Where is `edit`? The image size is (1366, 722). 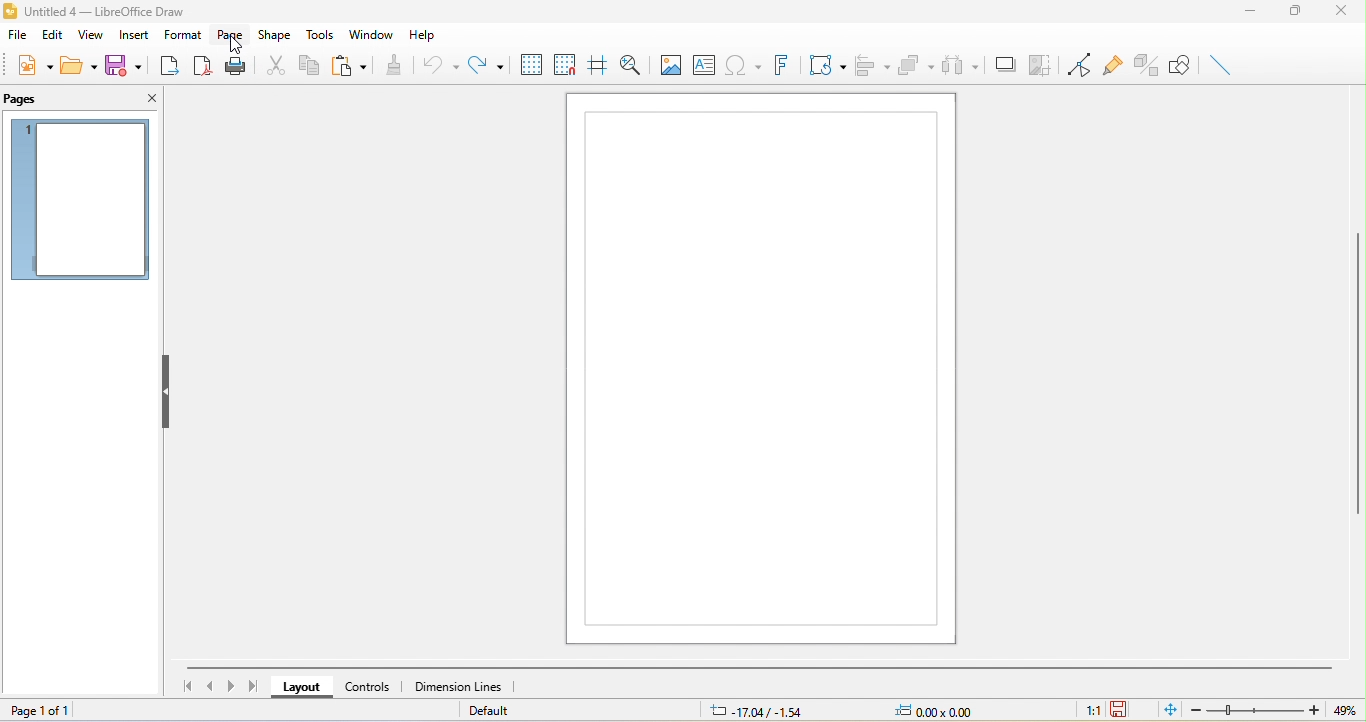
edit is located at coordinates (54, 35).